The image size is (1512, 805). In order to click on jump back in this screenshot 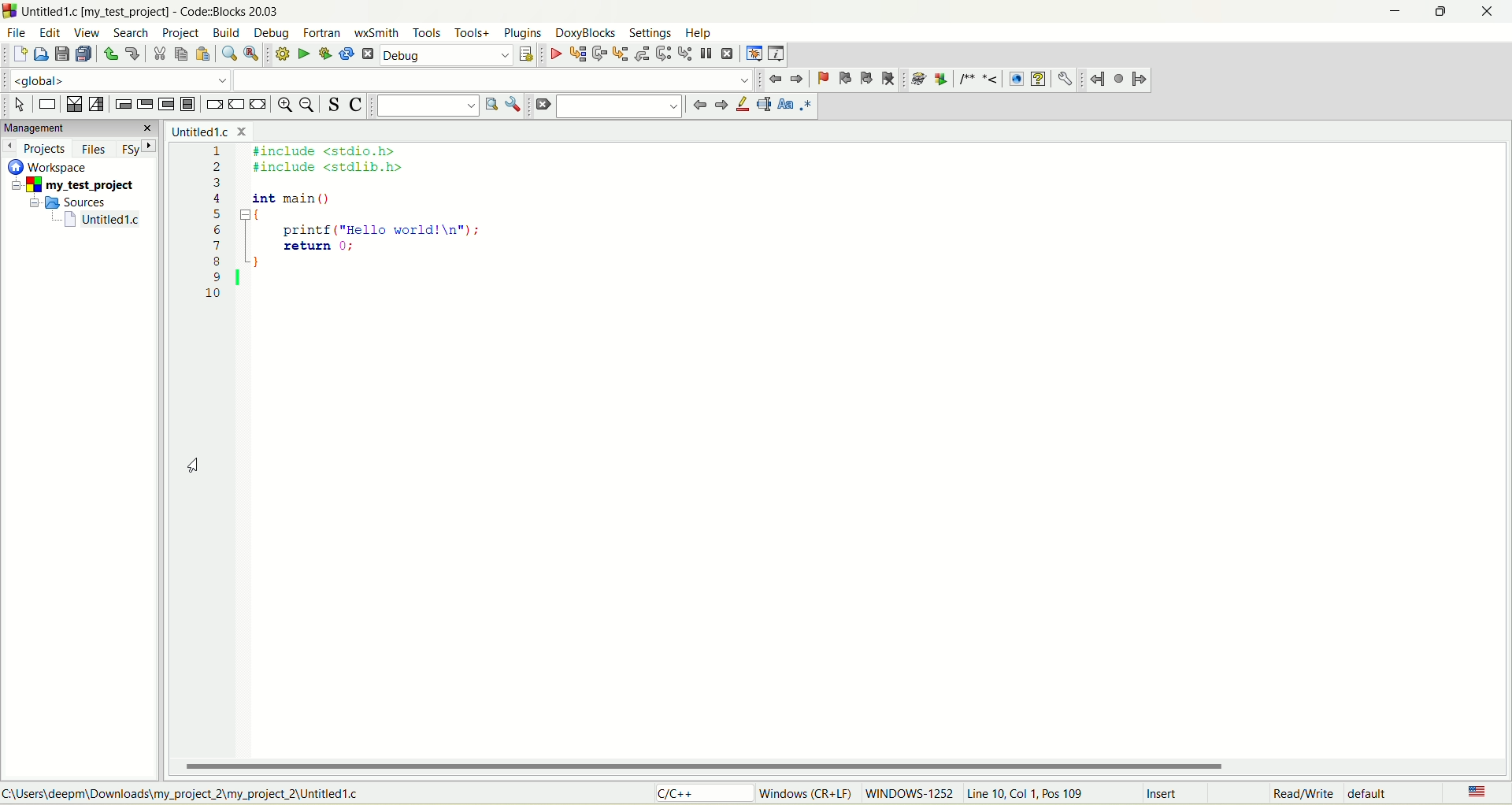, I will do `click(772, 80)`.